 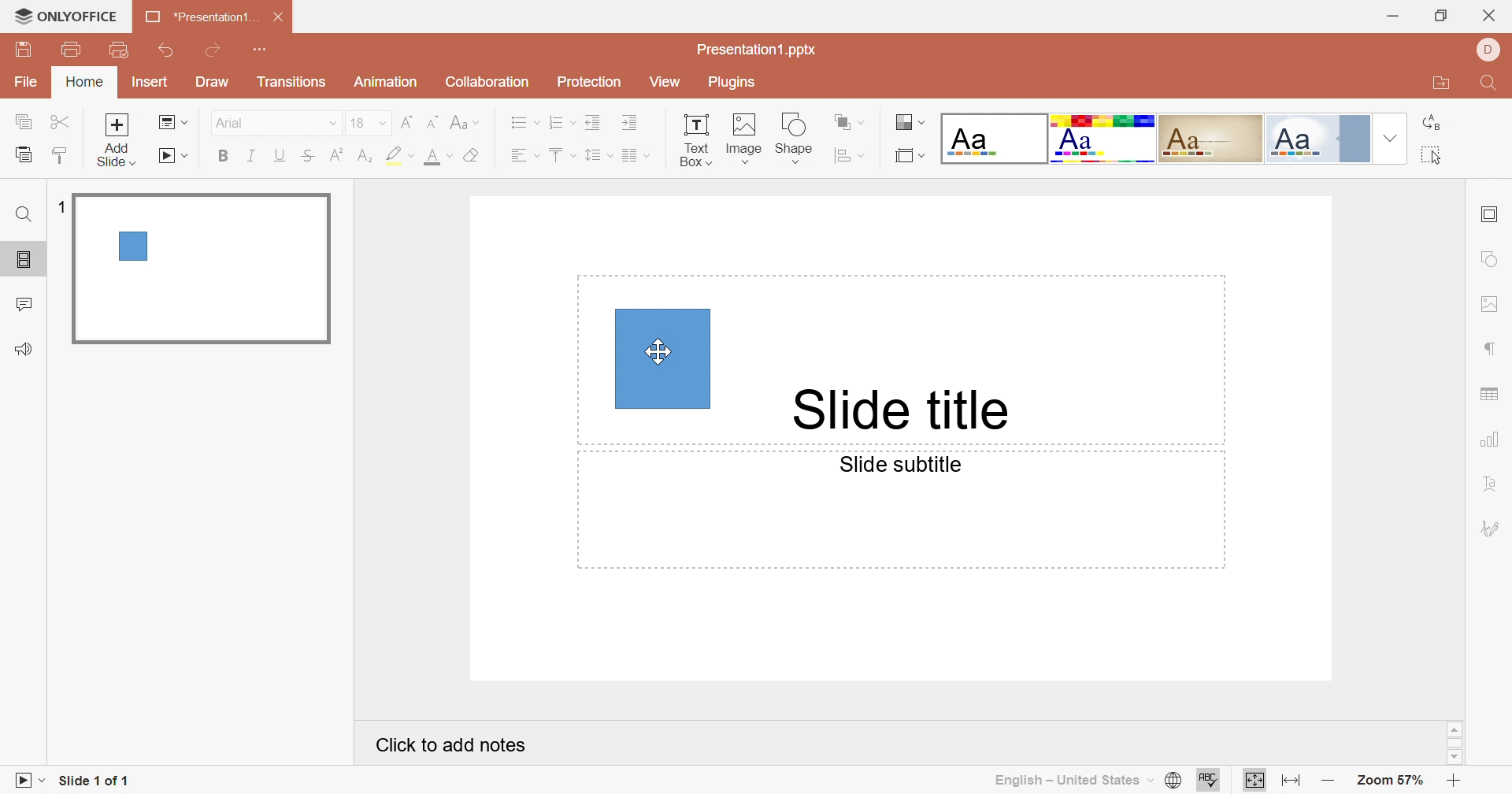 What do you see at coordinates (363, 158) in the screenshot?
I see `Subscript` at bounding box center [363, 158].